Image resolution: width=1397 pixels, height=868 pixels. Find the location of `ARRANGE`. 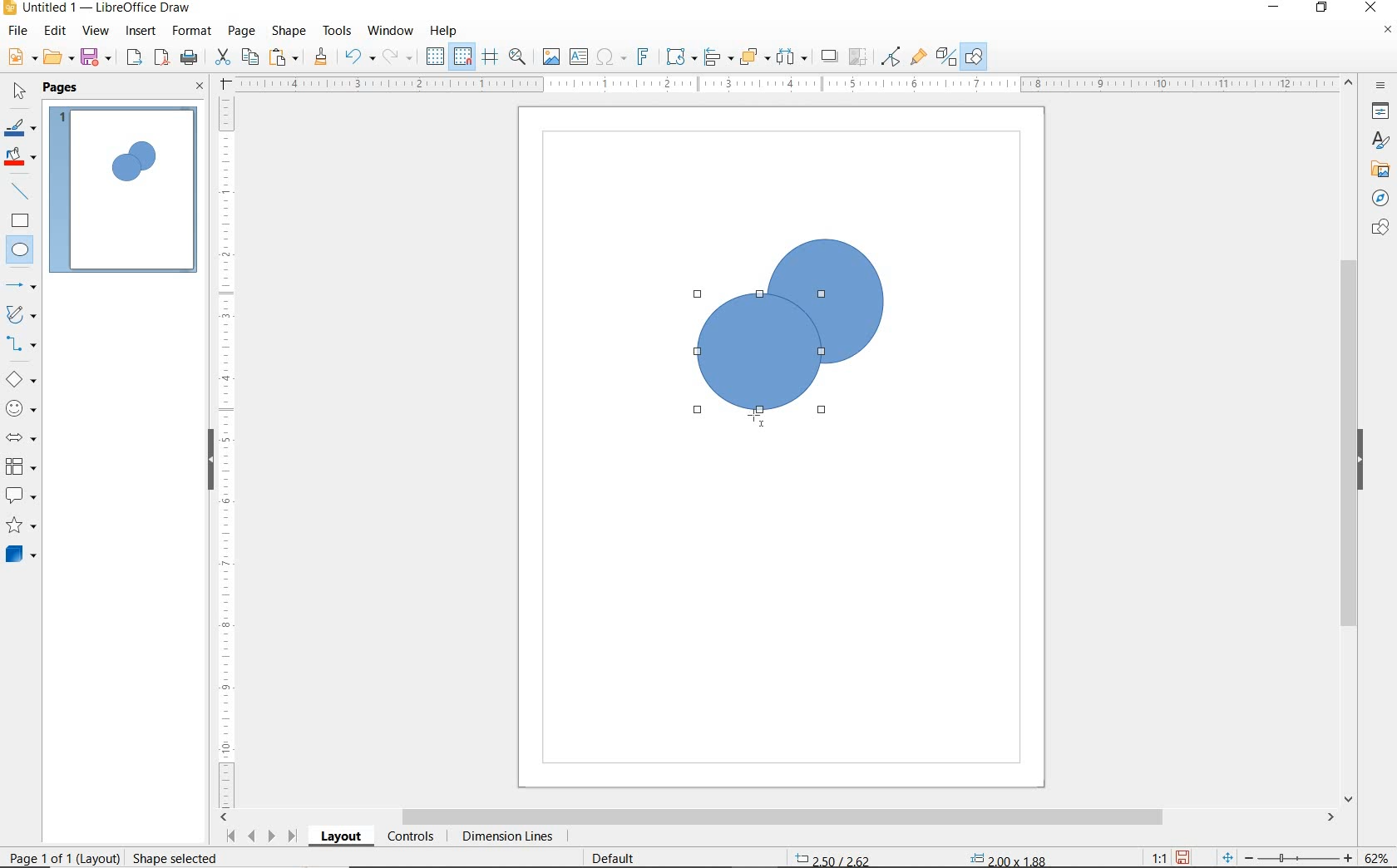

ARRANGE is located at coordinates (754, 57).